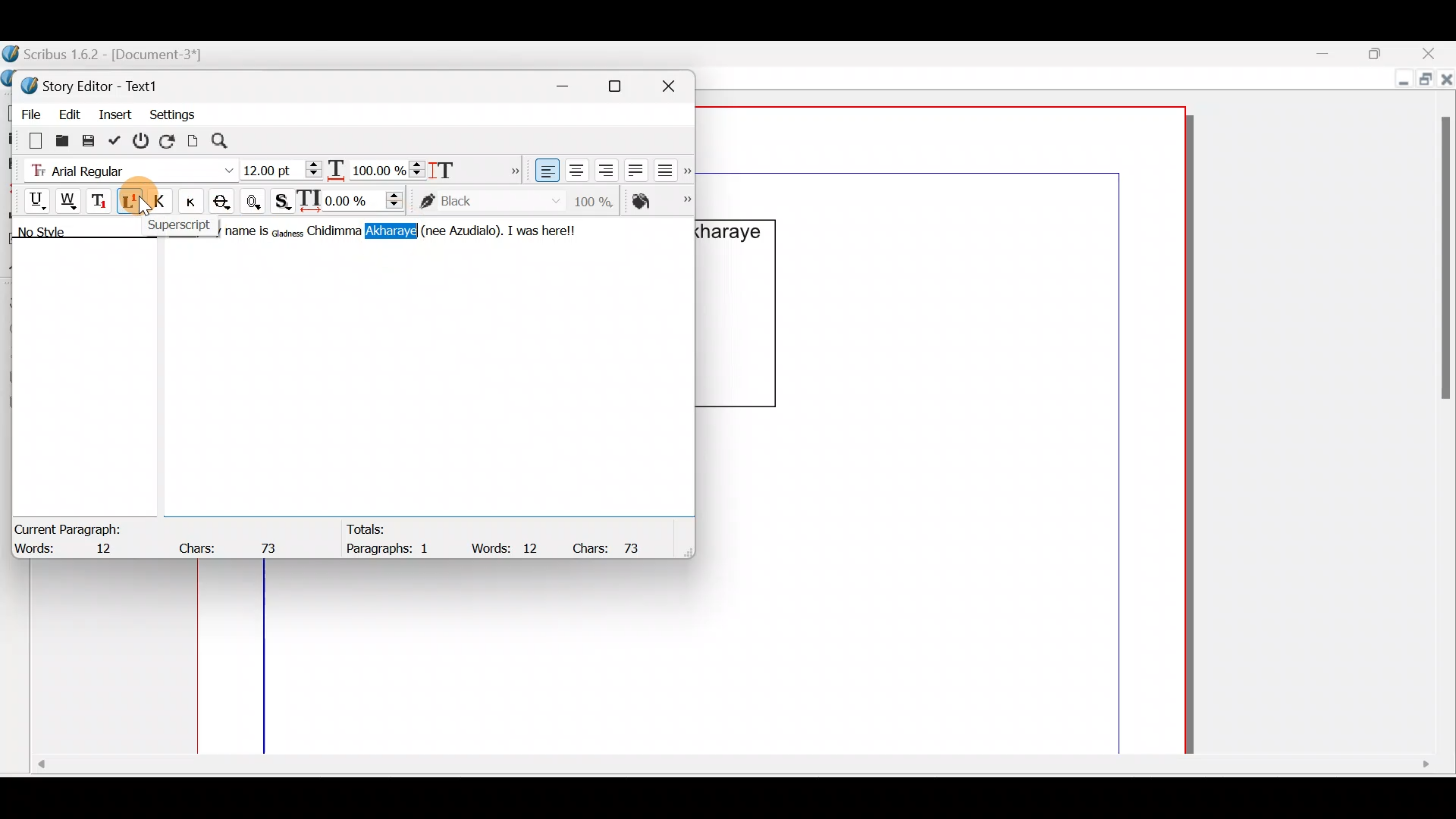  I want to click on Shadowed text, so click(284, 199).